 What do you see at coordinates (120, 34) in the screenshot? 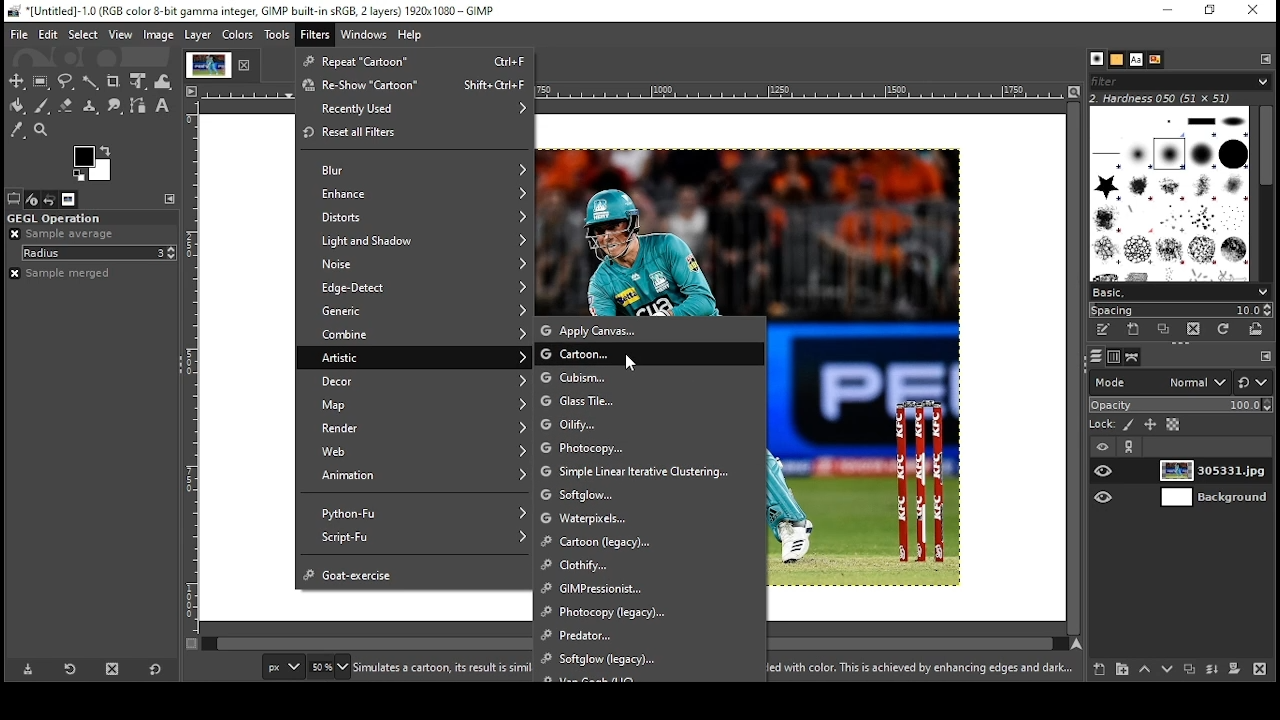
I see `view` at bounding box center [120, 34].